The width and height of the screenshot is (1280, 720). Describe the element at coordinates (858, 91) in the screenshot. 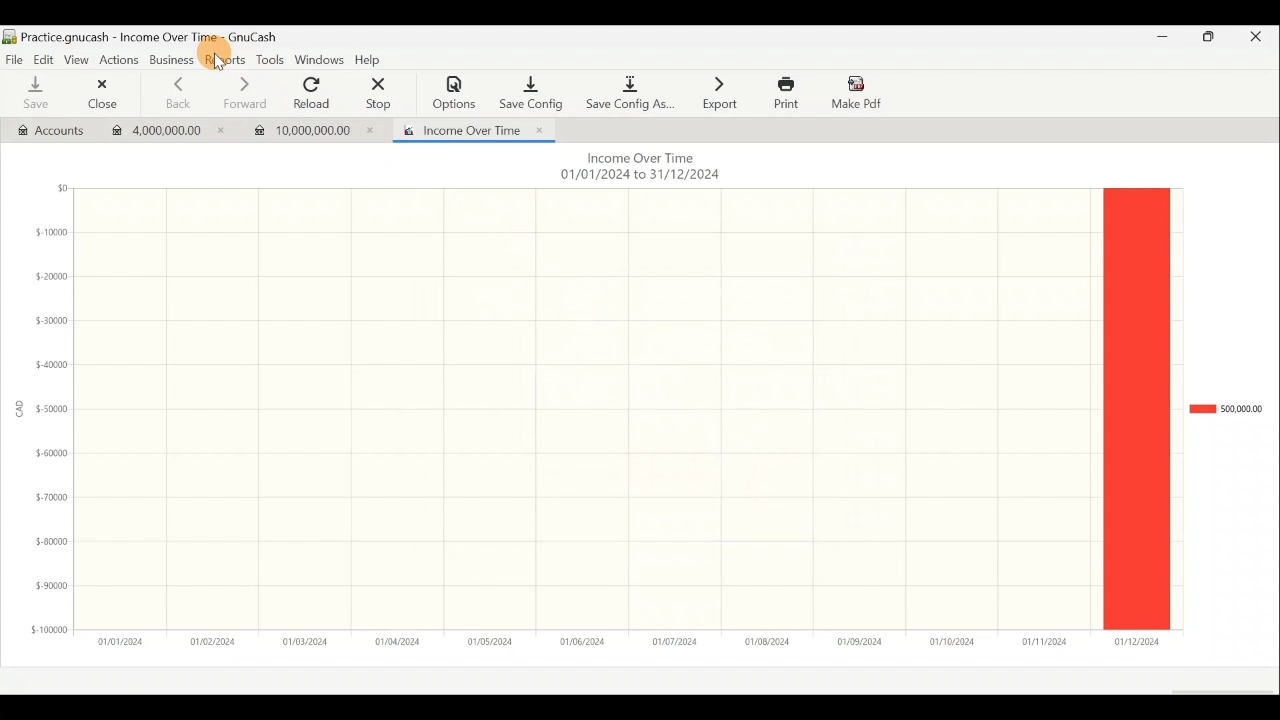

I see `Make Pdf` at that location.